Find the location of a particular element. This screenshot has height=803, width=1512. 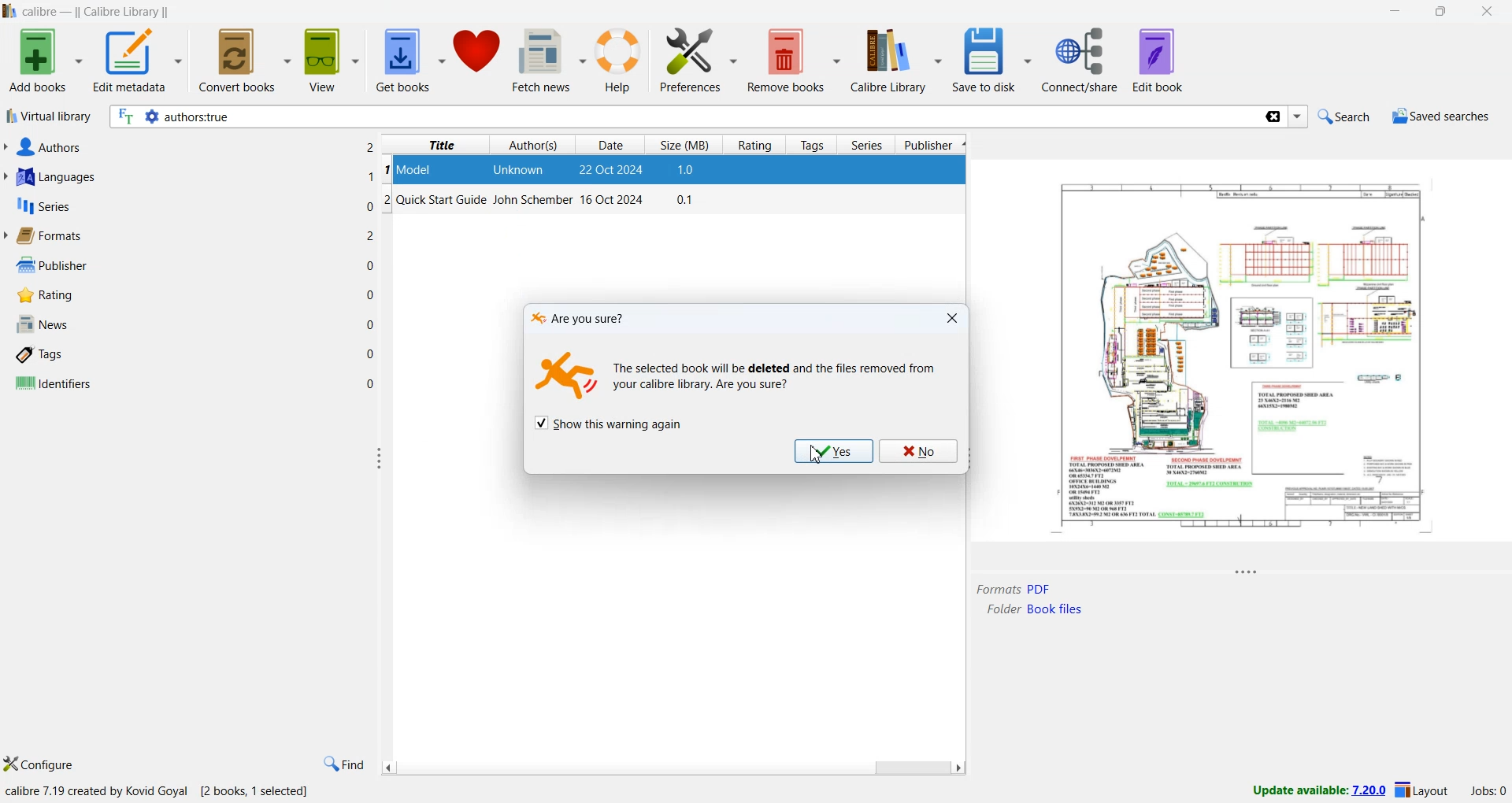

size is located at coordinates (686, 143).